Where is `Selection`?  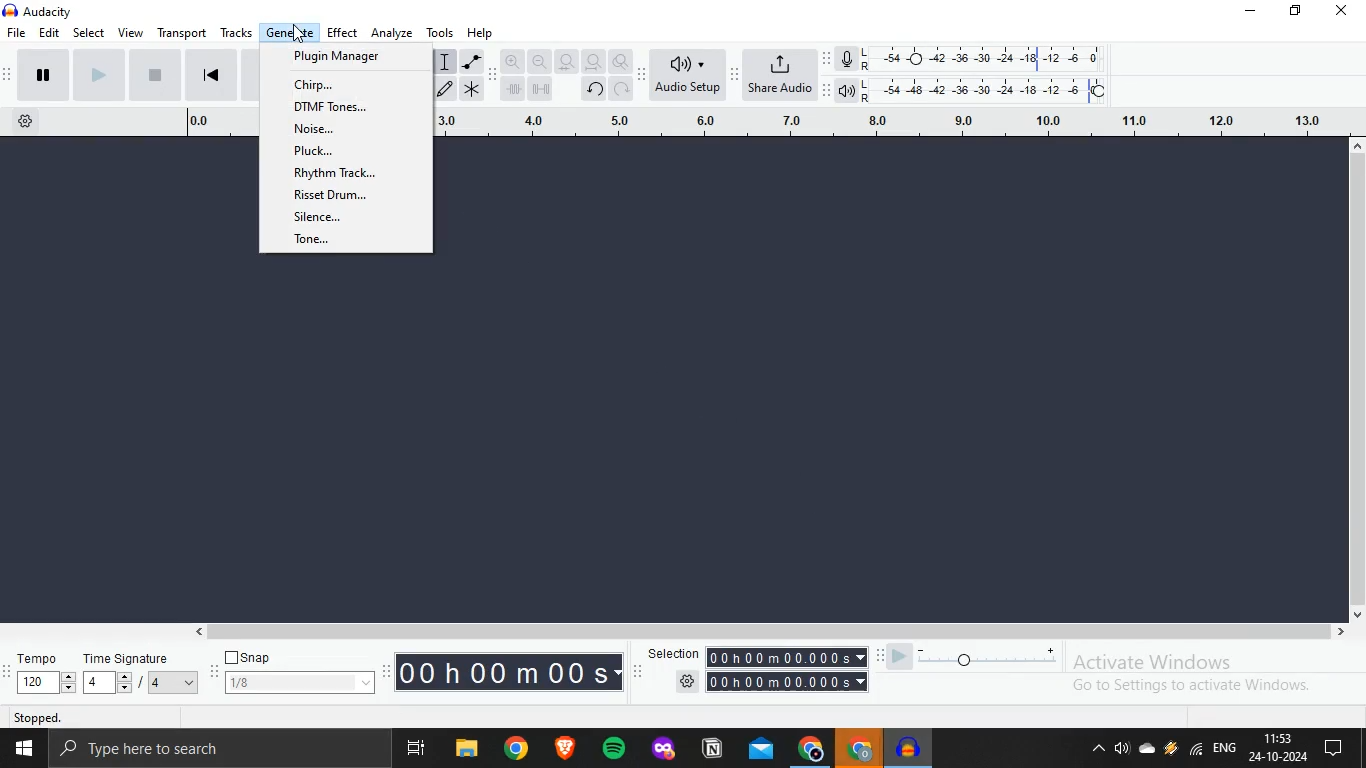 Selection is located at coordinates (755, 658).